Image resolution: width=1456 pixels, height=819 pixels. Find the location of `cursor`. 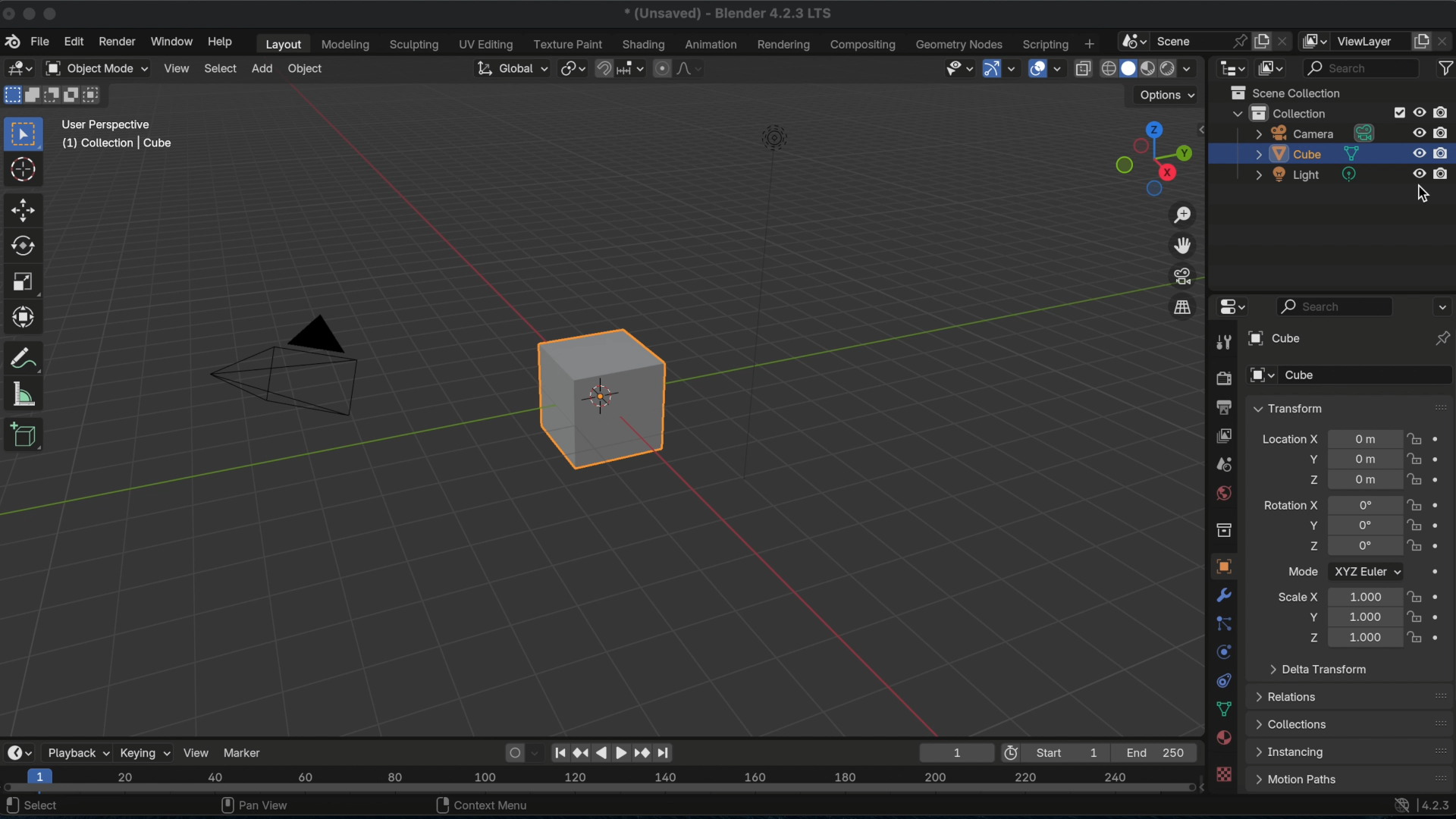

cursor is located at coordinates (22, 169).